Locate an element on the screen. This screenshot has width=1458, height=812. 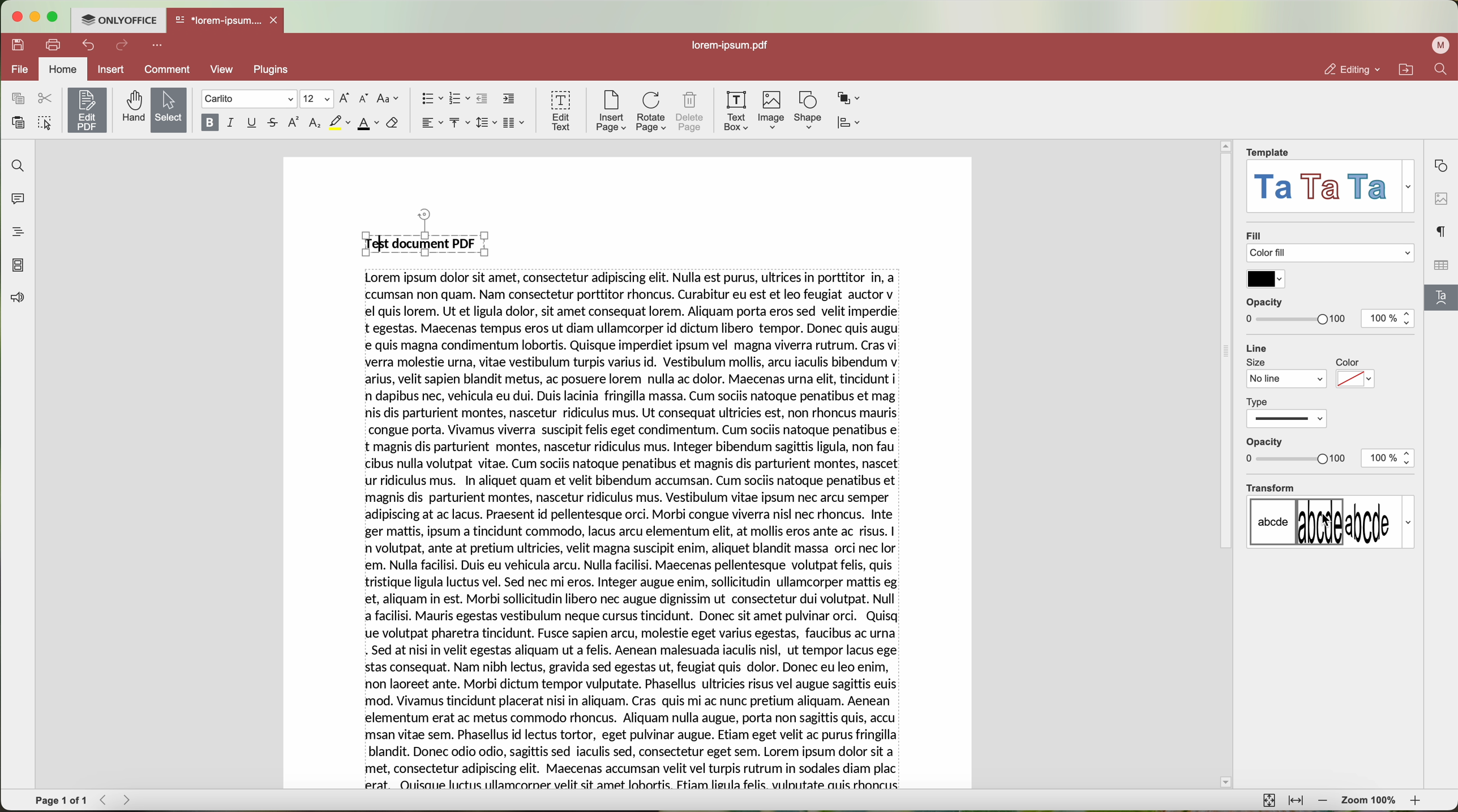
delete page is located at coordinates (690, 111).